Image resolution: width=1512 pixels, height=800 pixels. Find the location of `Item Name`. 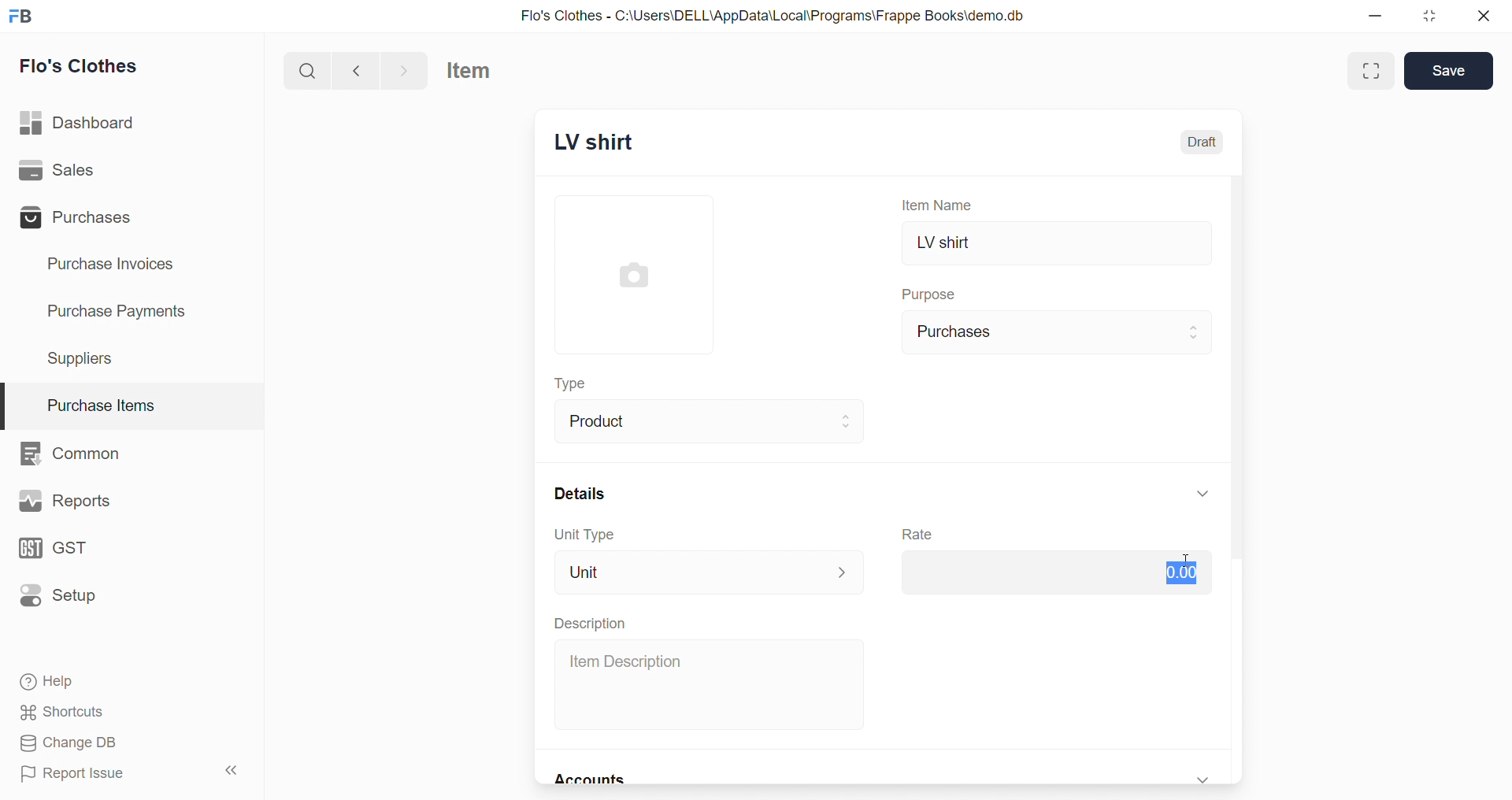

Item Name is located at coordinates (941, 204).